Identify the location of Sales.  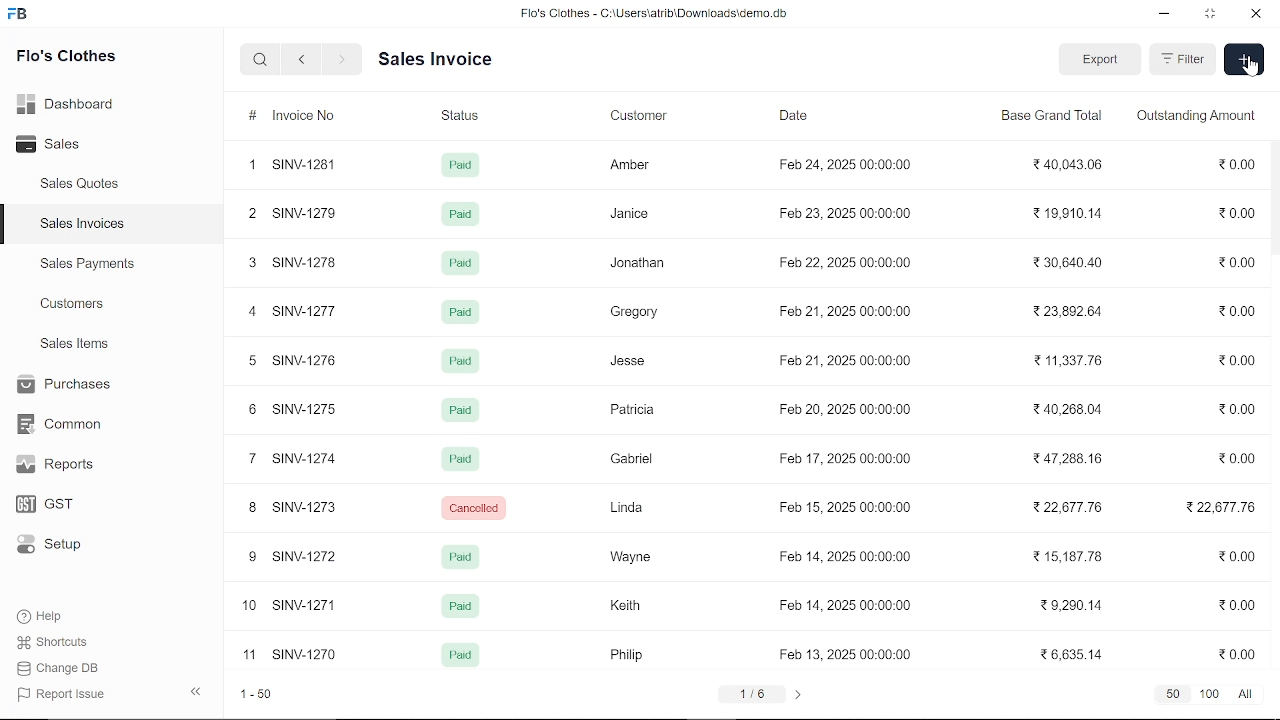
(57, 142).